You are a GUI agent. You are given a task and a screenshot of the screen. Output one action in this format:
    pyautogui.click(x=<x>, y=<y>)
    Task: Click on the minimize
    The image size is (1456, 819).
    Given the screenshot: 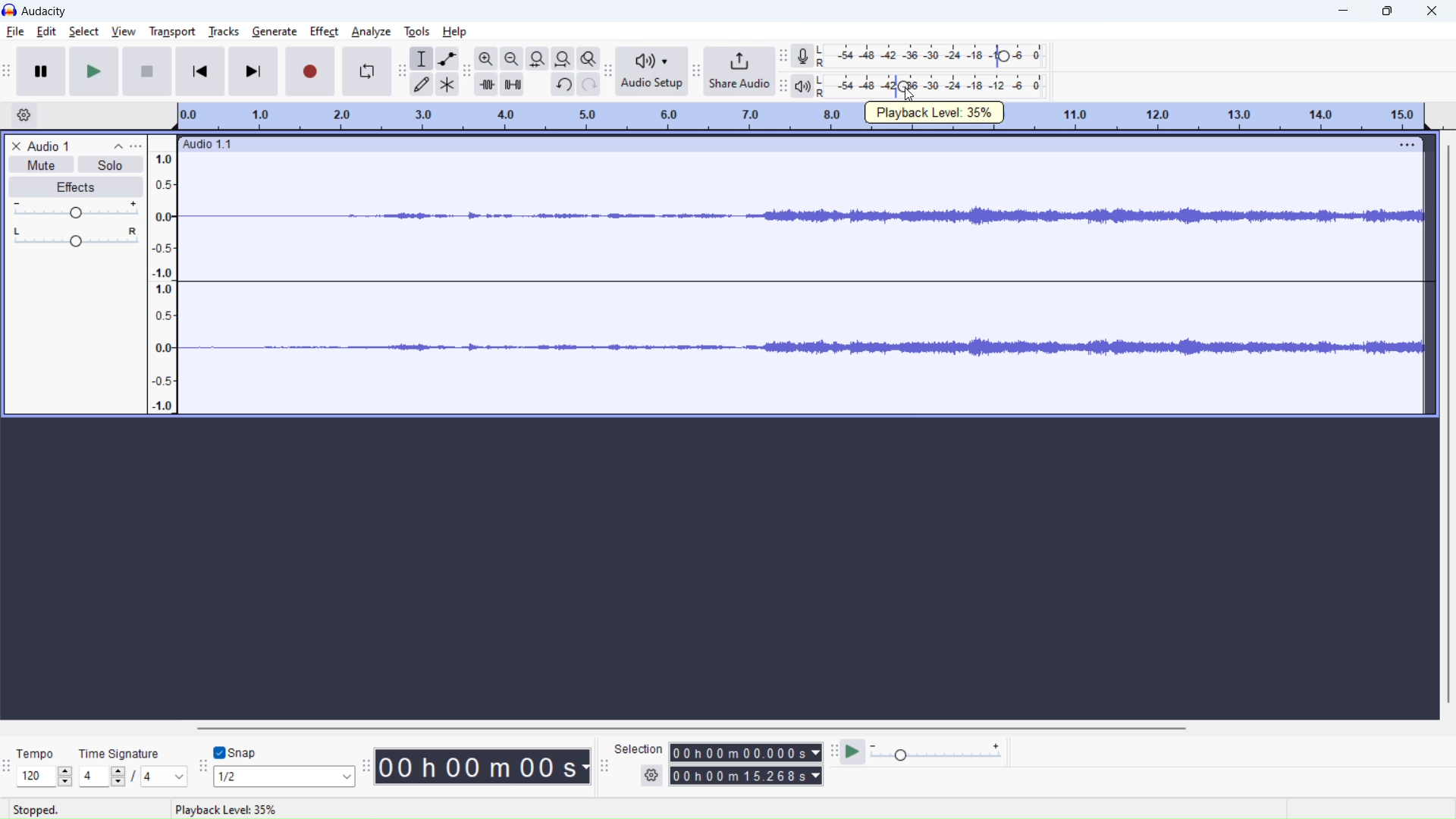 What is the action you would take?
    pyautogui.click(x=1345, y=11)
    